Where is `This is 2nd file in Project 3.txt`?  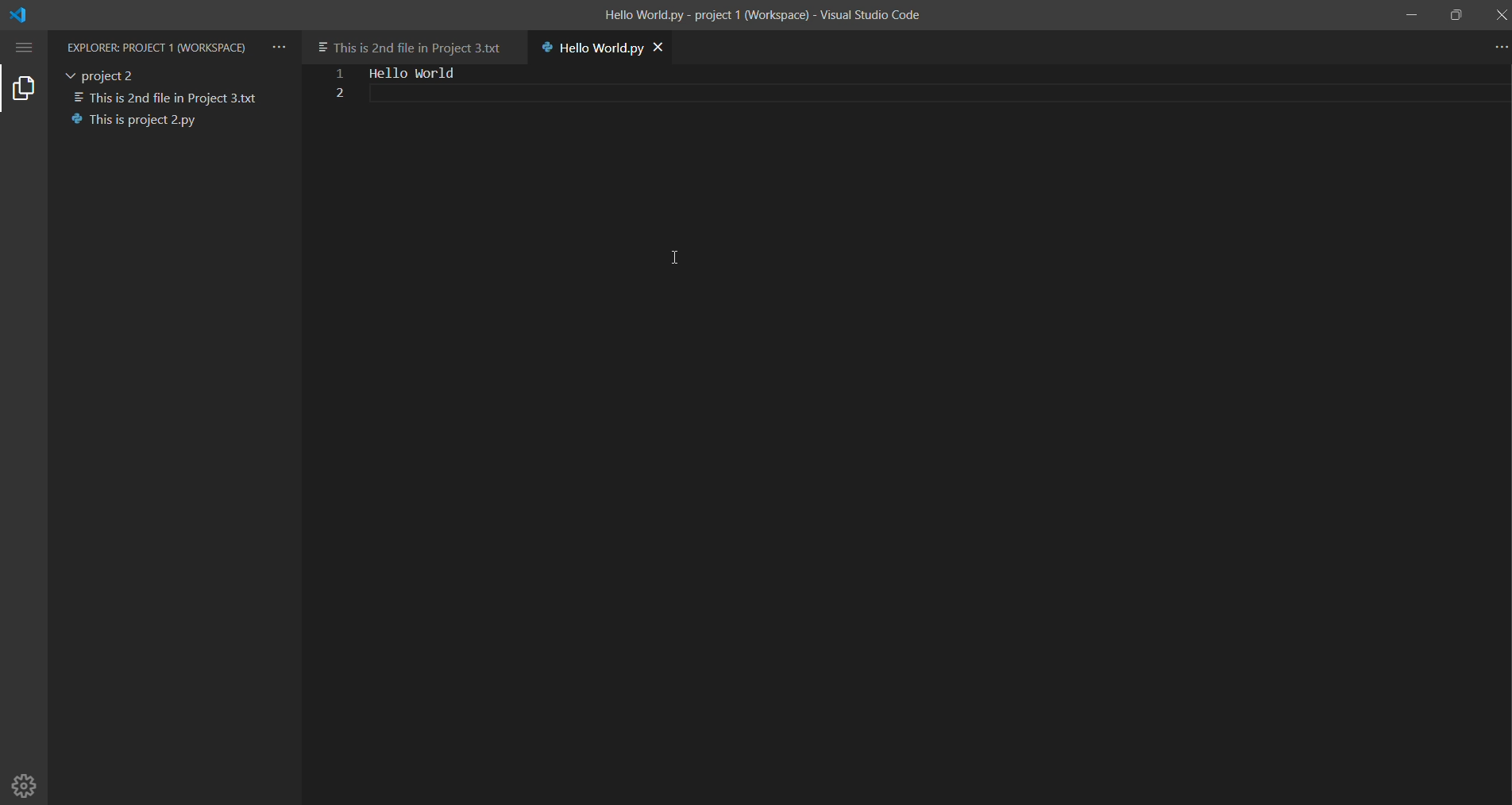
This is 2nd file in Project 3.txt is located at coordinates (413, 41).